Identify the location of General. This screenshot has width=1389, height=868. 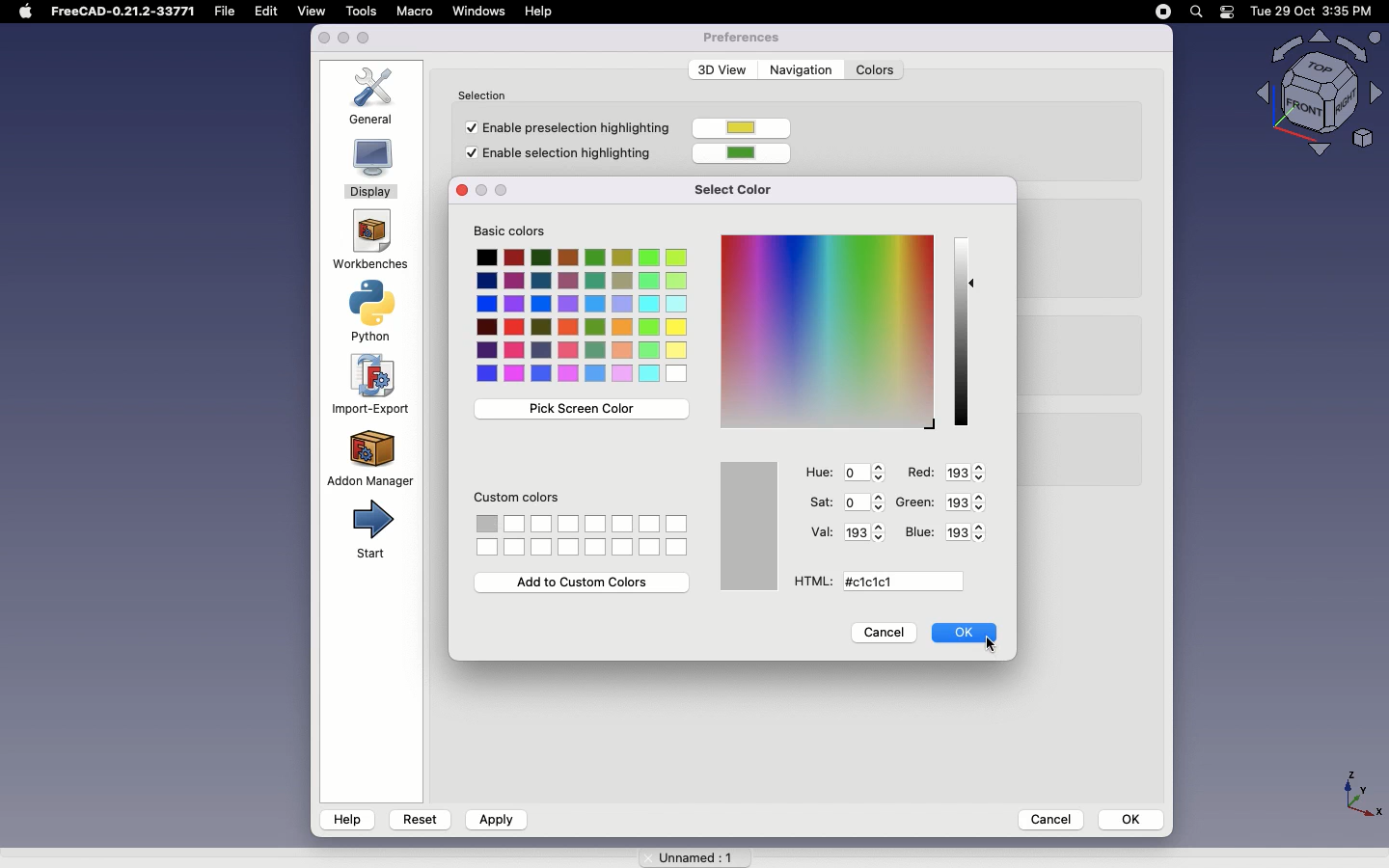
(377, 95).